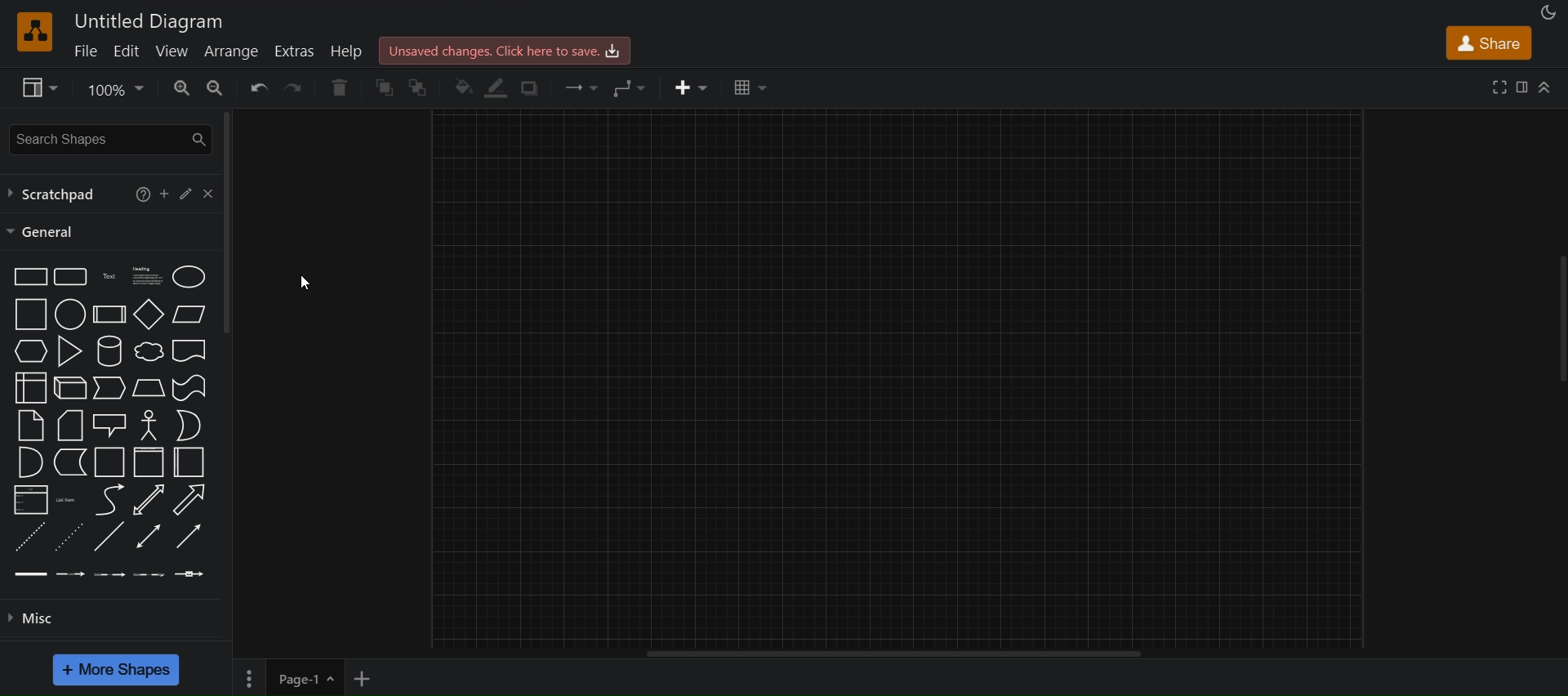  What do you see at coordinates (234, 51) in the screenshot?
I see `arrange` at bounding box center [234, 51].